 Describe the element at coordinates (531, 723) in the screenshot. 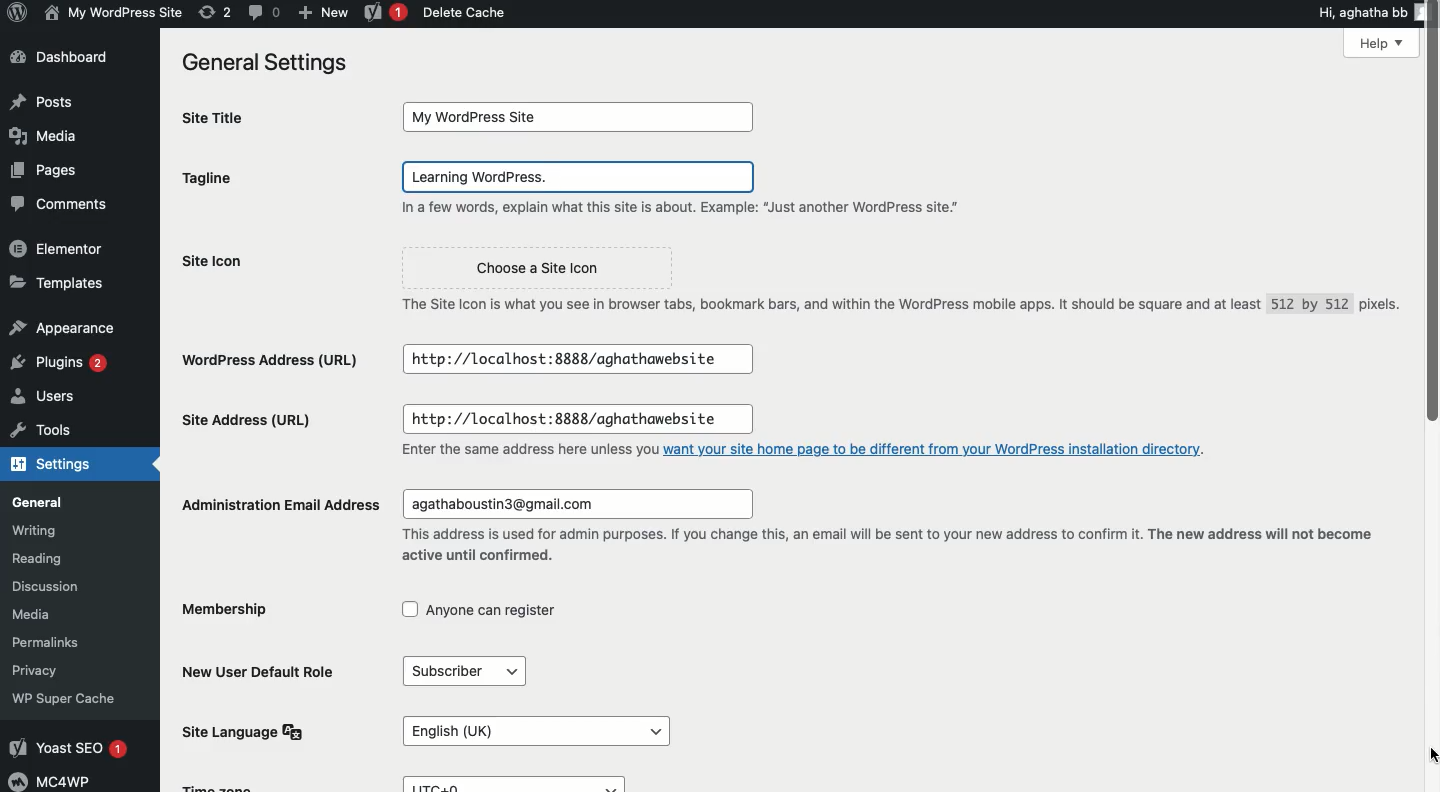

I see `English (UK) ` at that location.